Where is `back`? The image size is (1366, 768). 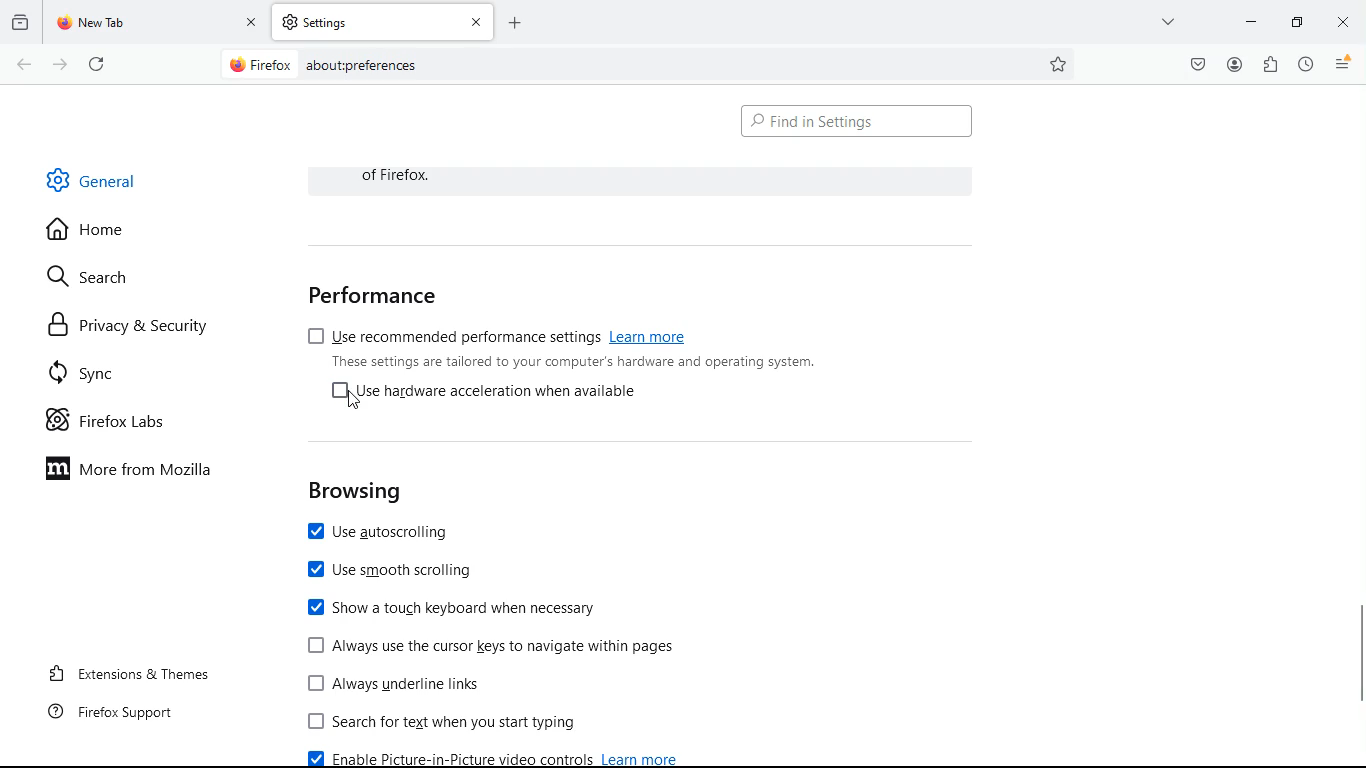
back is located at coordinates (22, 65).